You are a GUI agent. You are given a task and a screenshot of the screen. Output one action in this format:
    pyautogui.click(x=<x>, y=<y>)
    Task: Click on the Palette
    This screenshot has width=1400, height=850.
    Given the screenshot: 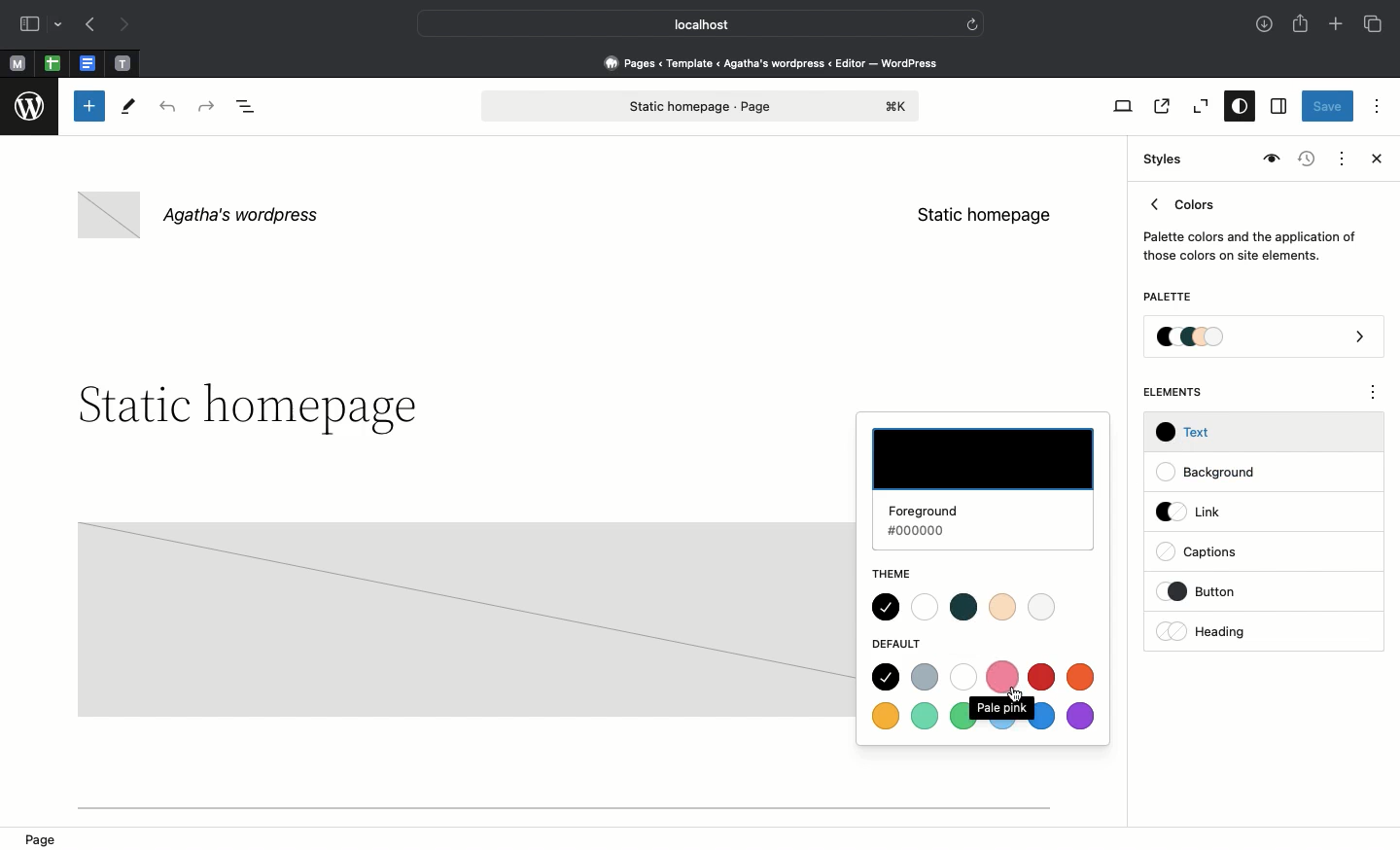 What is the action you would take?
    pyautogui.click(x=1265, y=338)
    